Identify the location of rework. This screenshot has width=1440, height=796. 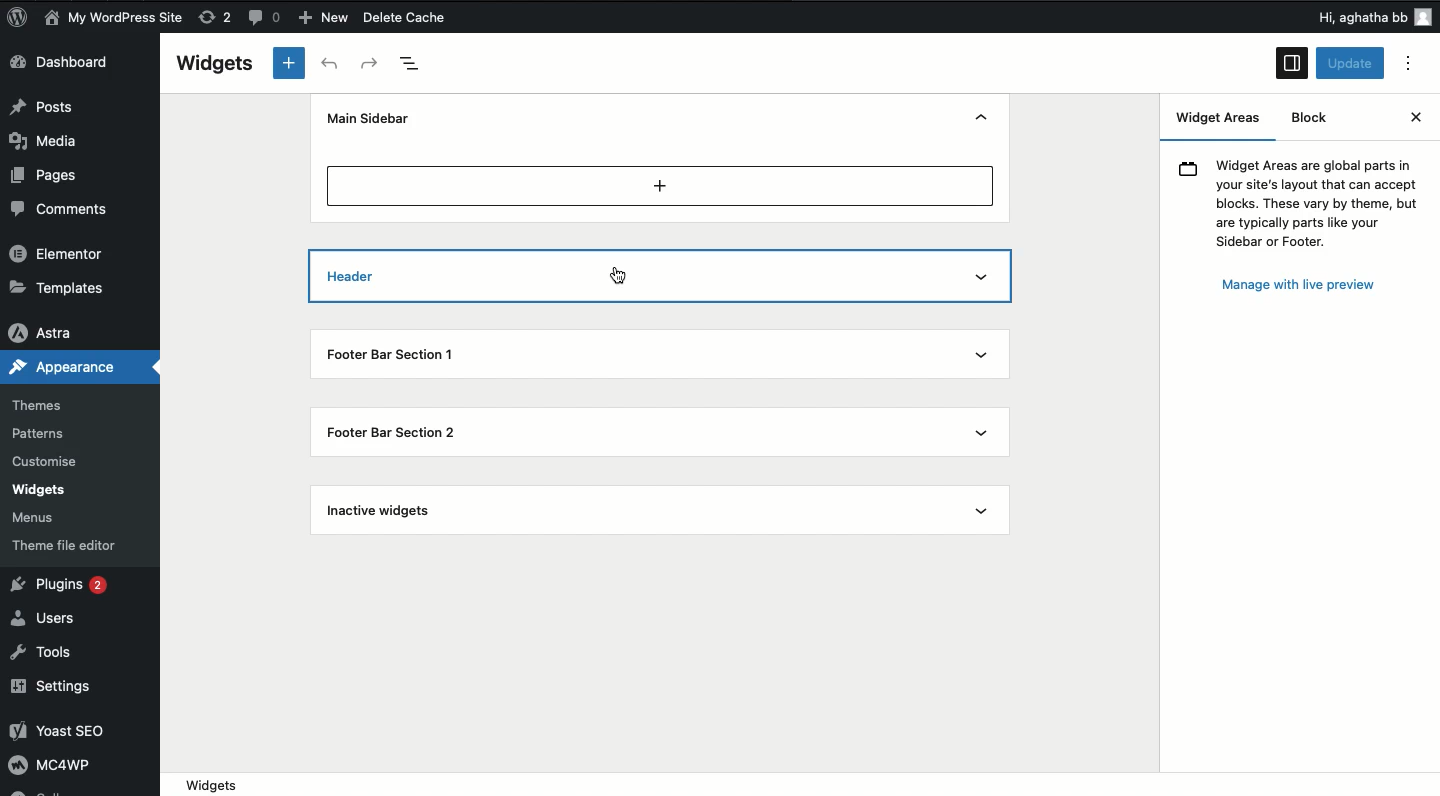
(218, 20).